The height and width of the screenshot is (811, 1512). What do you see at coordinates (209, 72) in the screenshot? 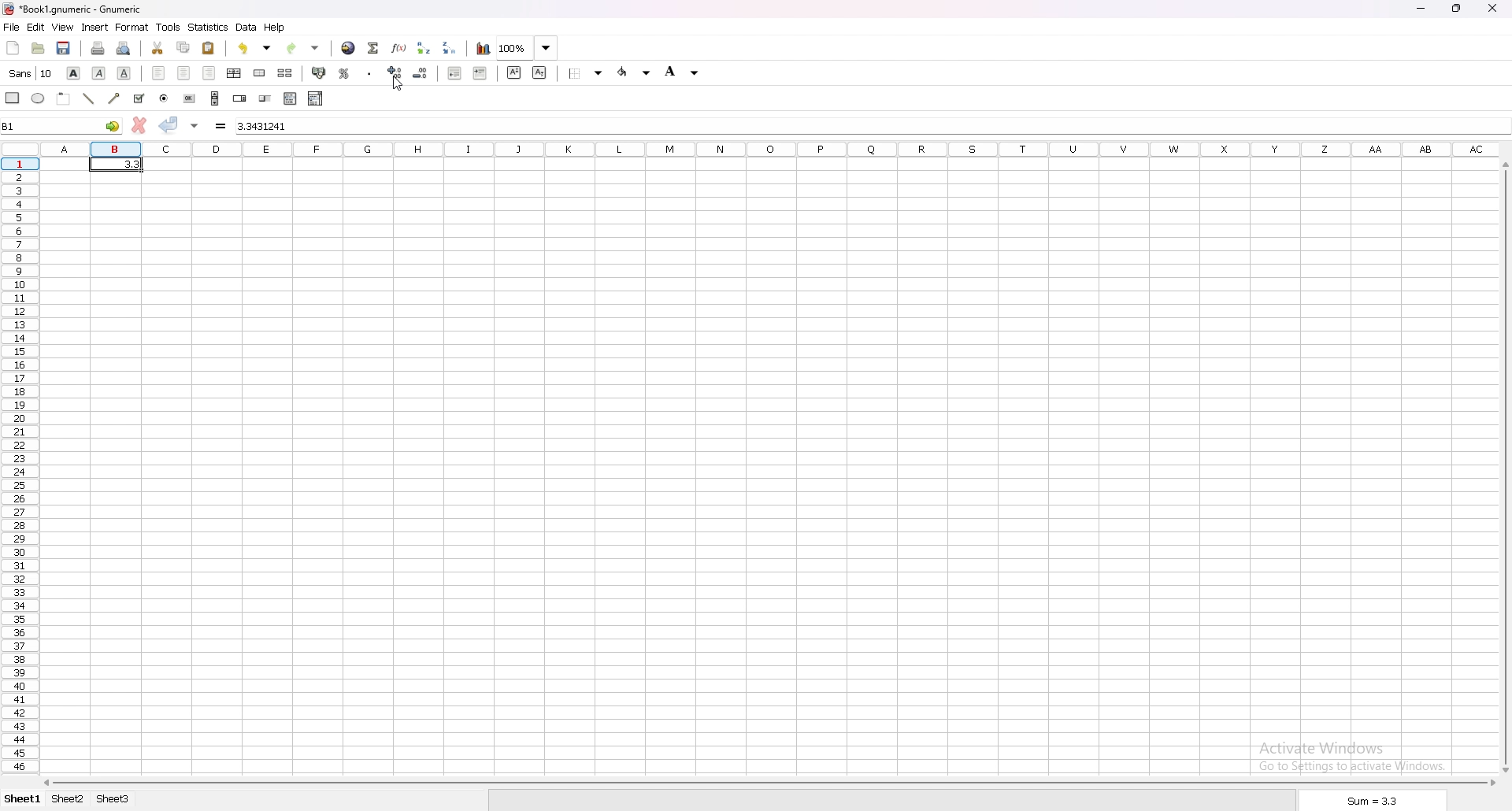
I see `right indent` at bounding box center [209, 72].